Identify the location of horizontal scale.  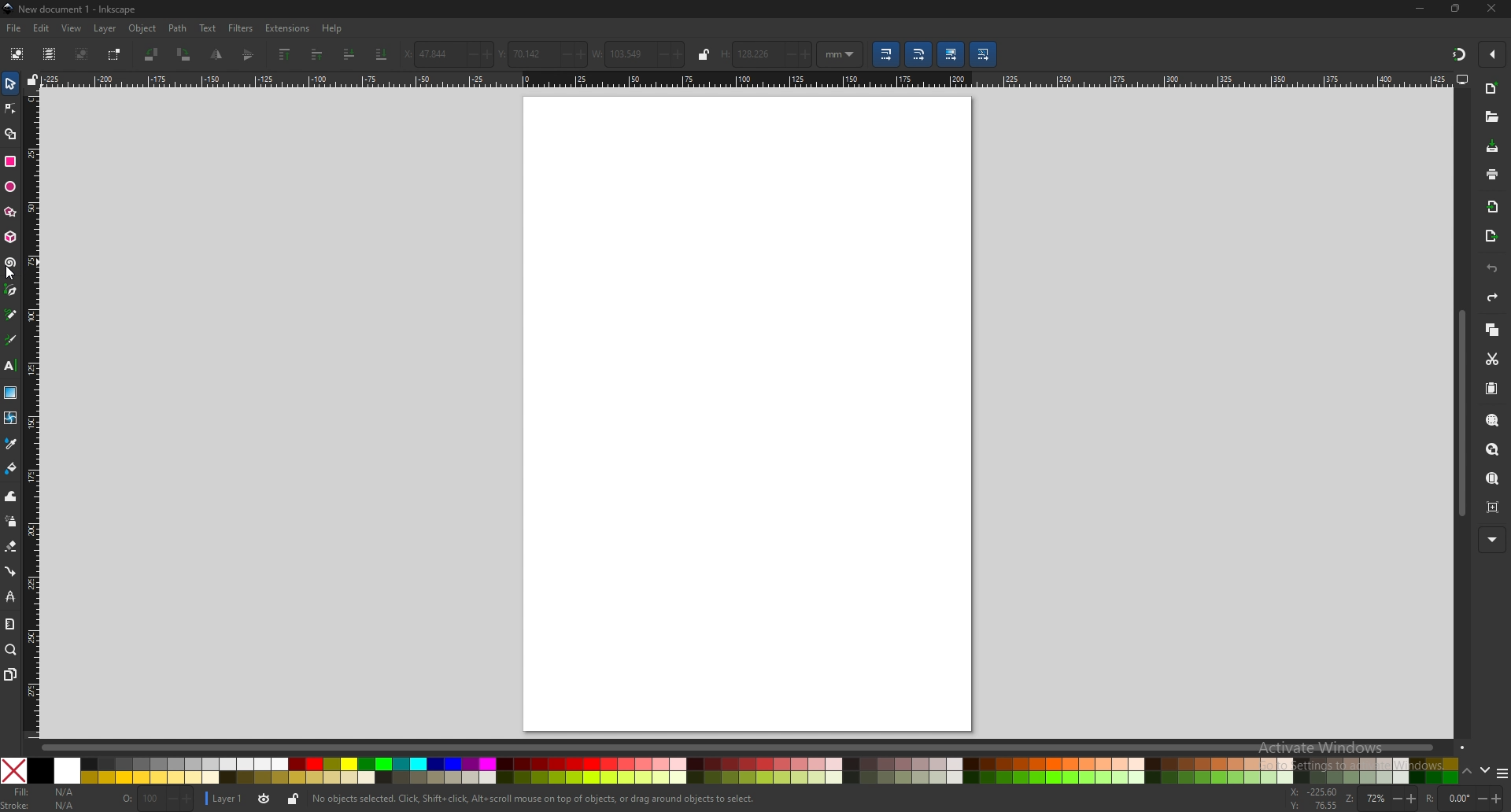
(744, 79).